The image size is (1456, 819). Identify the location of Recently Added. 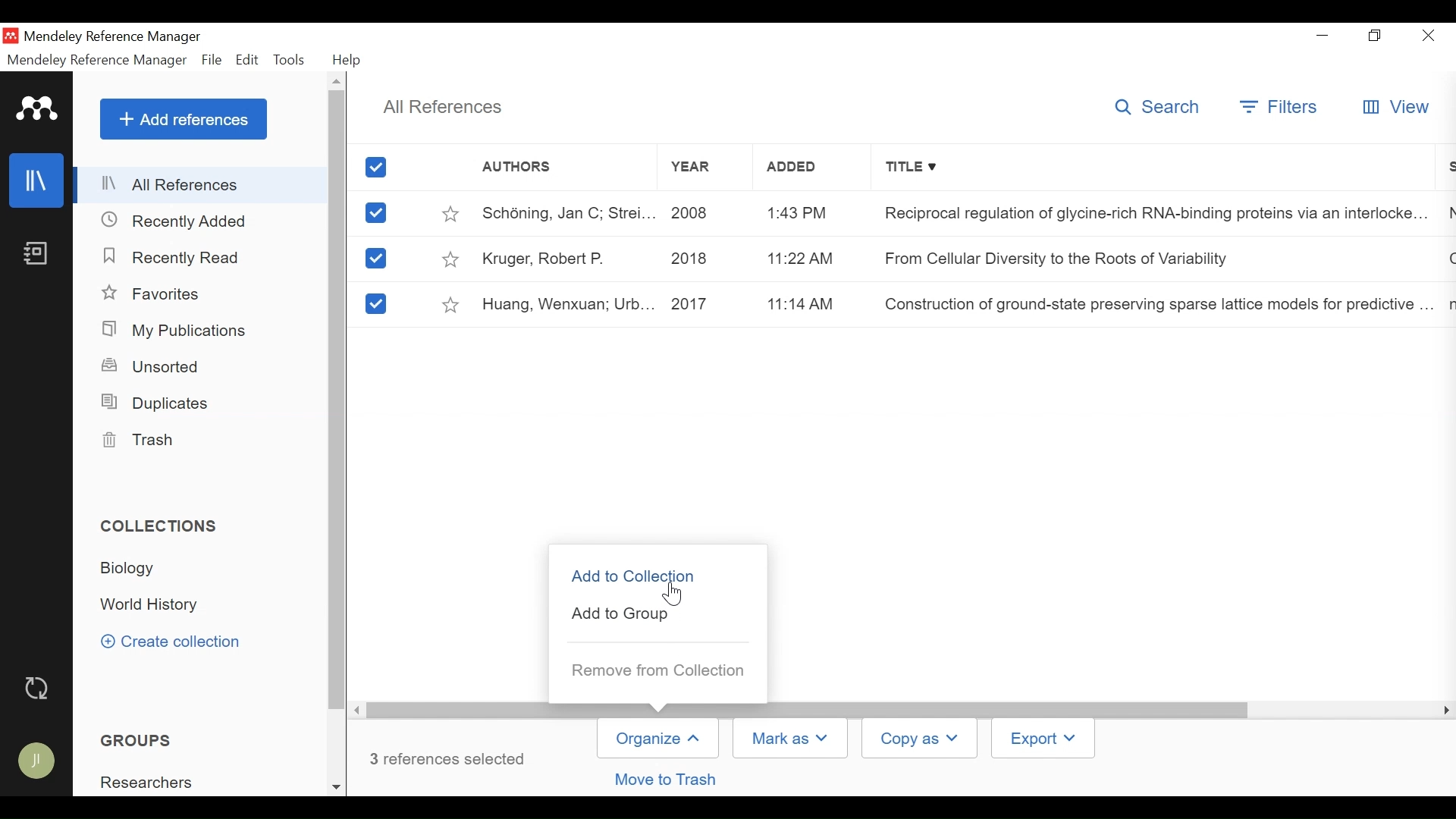
(174, 221).